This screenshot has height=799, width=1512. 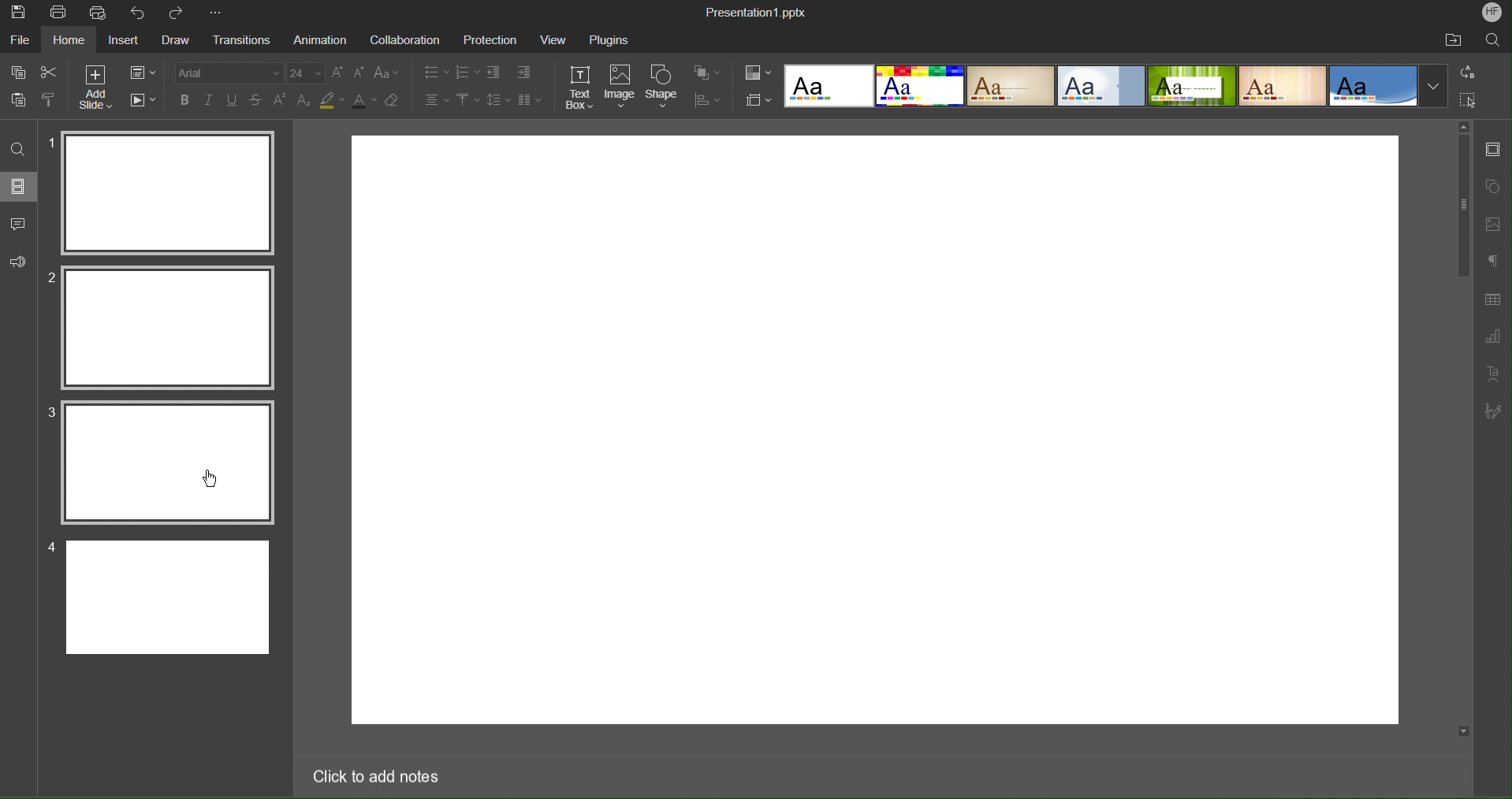 What do you see at coordinates (332, 102) in the screenshot?
I see `highlight color` at bounding box center [332, 102].